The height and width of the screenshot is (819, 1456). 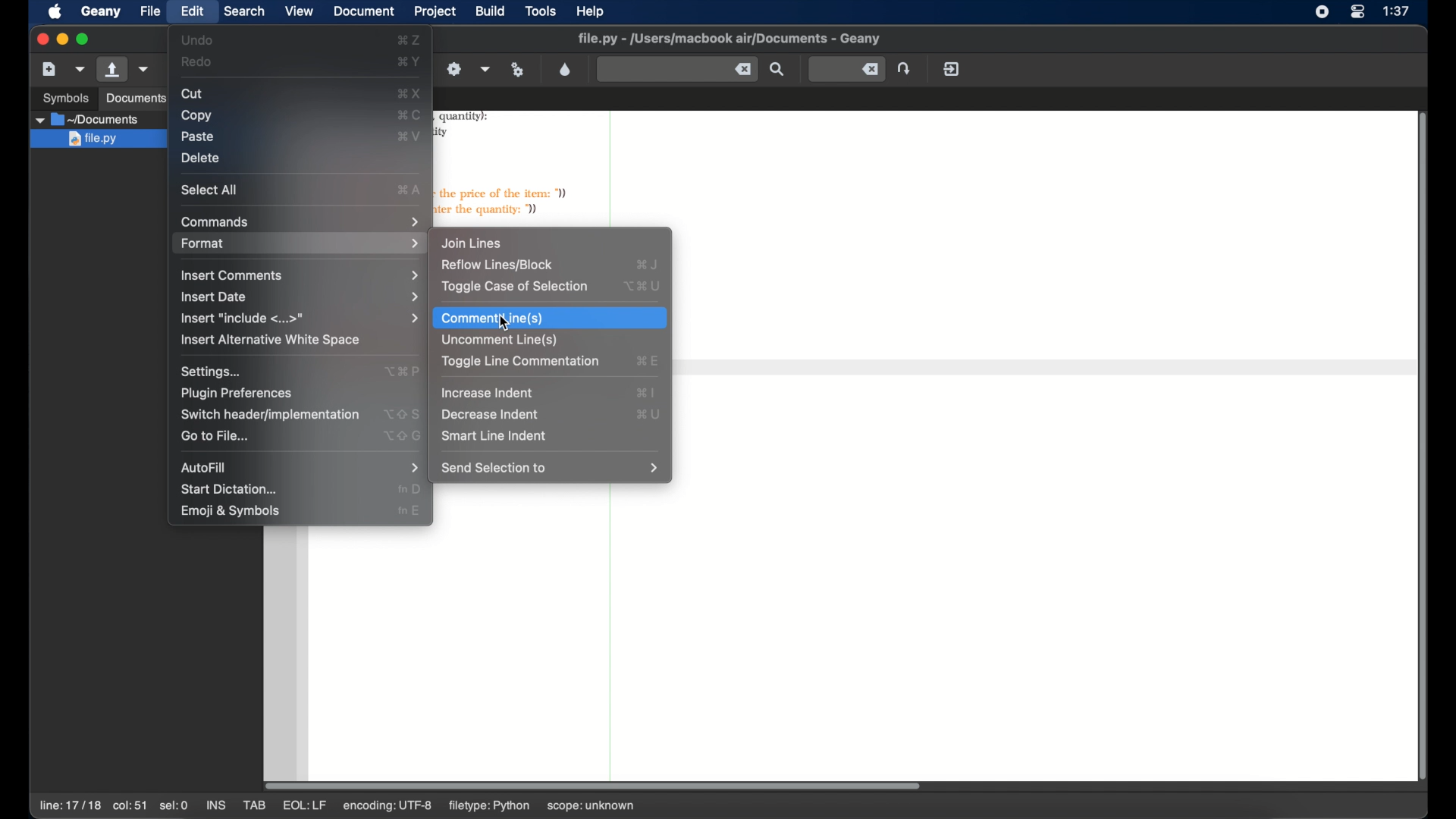 I want to click on filename, so click(x=730, y=39).